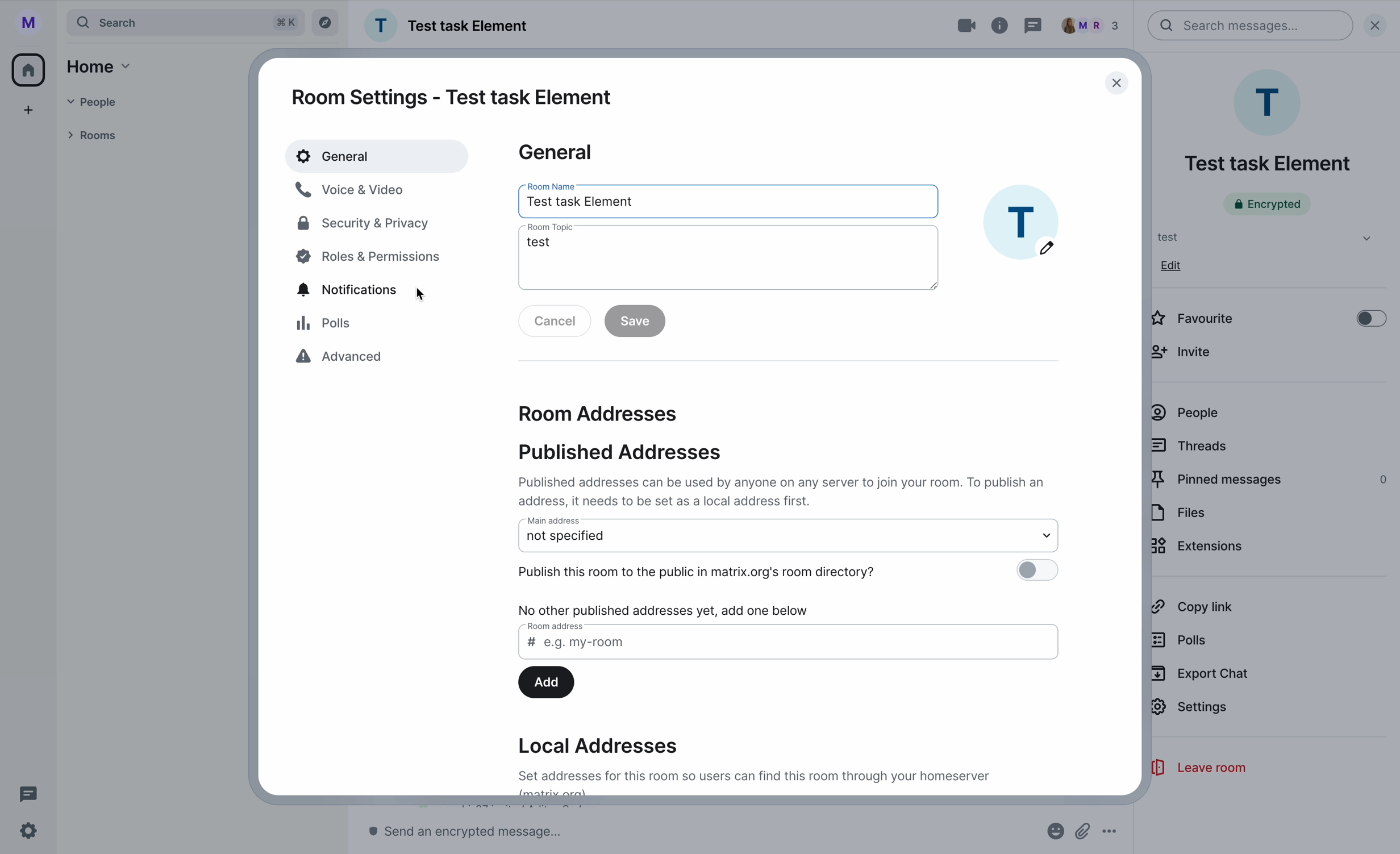  Describe the element at coordinates (31, 68) in the screenshot. I see `home icon` at that location.